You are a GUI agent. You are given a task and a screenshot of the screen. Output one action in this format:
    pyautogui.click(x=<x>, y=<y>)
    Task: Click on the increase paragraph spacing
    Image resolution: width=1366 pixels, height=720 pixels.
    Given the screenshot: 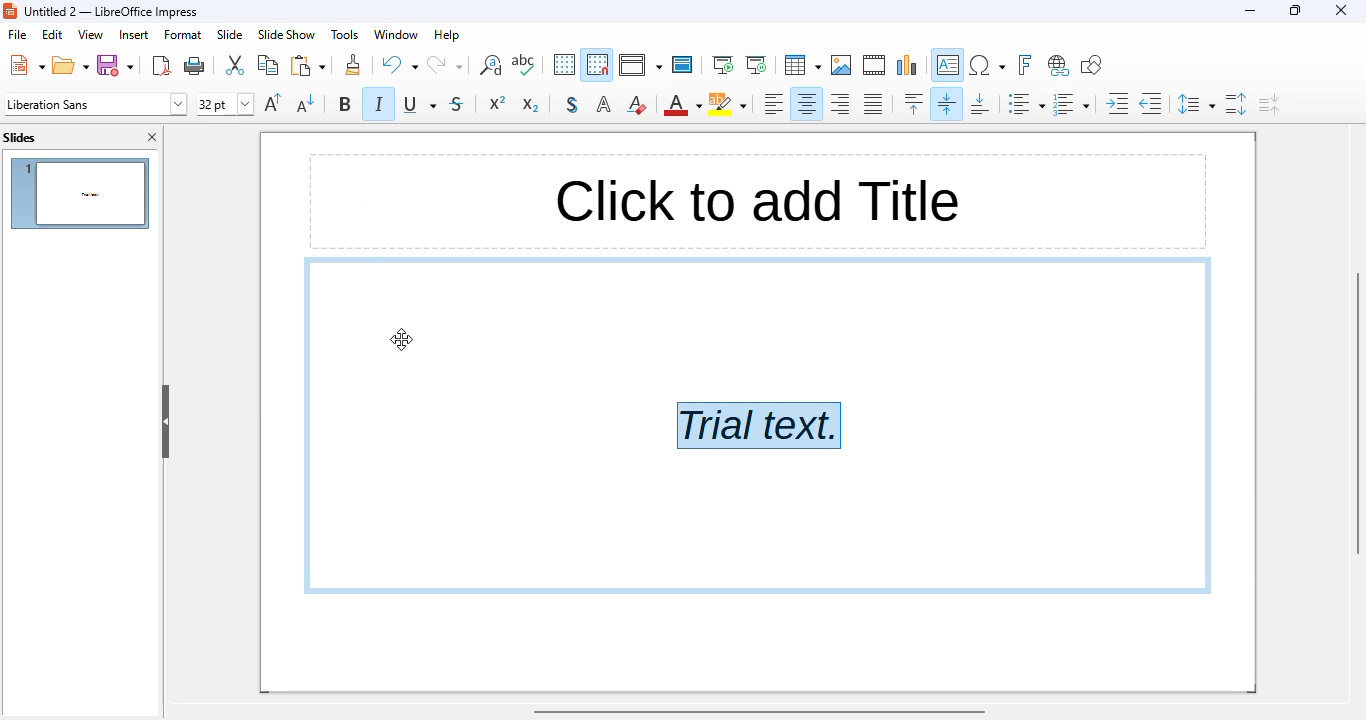 What is the action you would take?
    pyautogui.click(x=1238, y=104)
    